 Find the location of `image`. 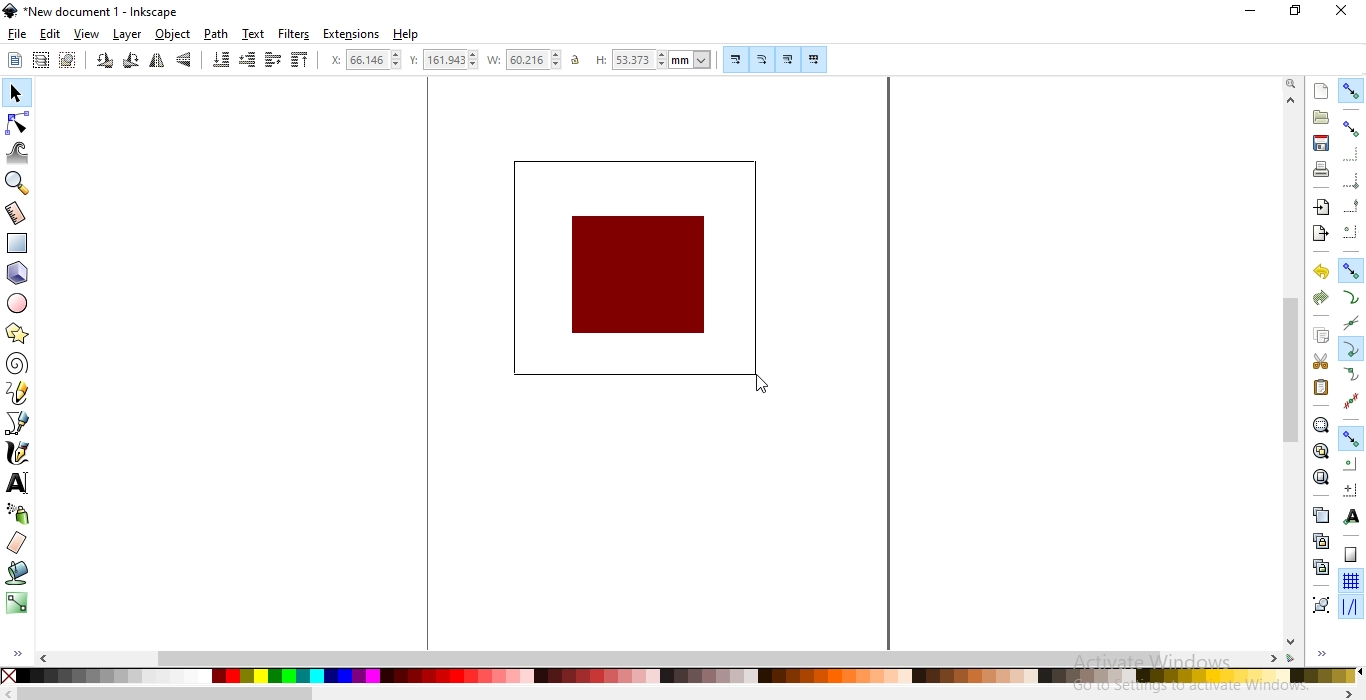

image is located at coordinates (638, 277).